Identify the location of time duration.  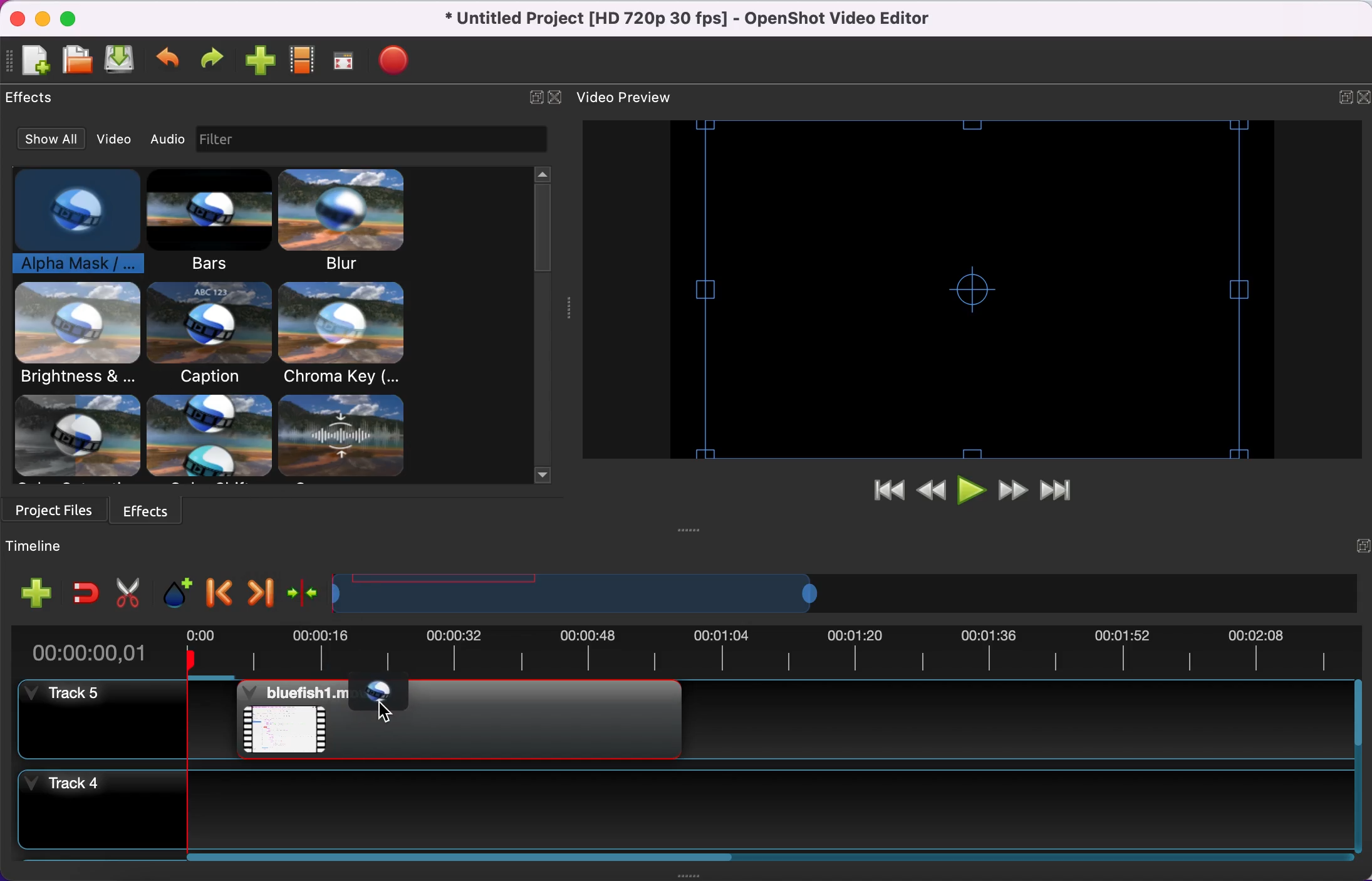
(681, 653).